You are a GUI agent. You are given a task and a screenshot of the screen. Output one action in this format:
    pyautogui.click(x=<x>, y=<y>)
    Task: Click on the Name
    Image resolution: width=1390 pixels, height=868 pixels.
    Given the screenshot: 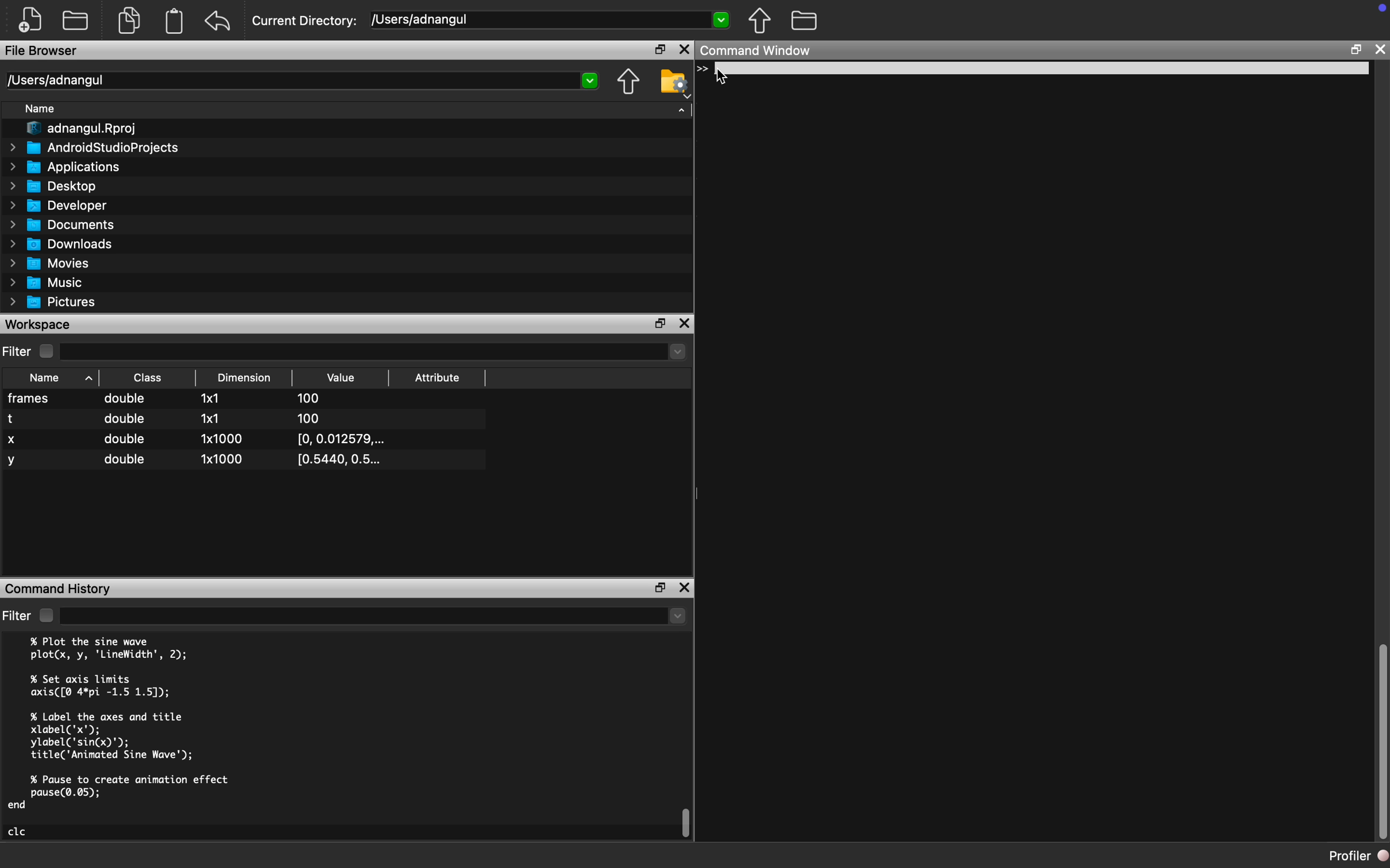 What is the action you would take?
    pyautogui.click(x=45, y=378)
    